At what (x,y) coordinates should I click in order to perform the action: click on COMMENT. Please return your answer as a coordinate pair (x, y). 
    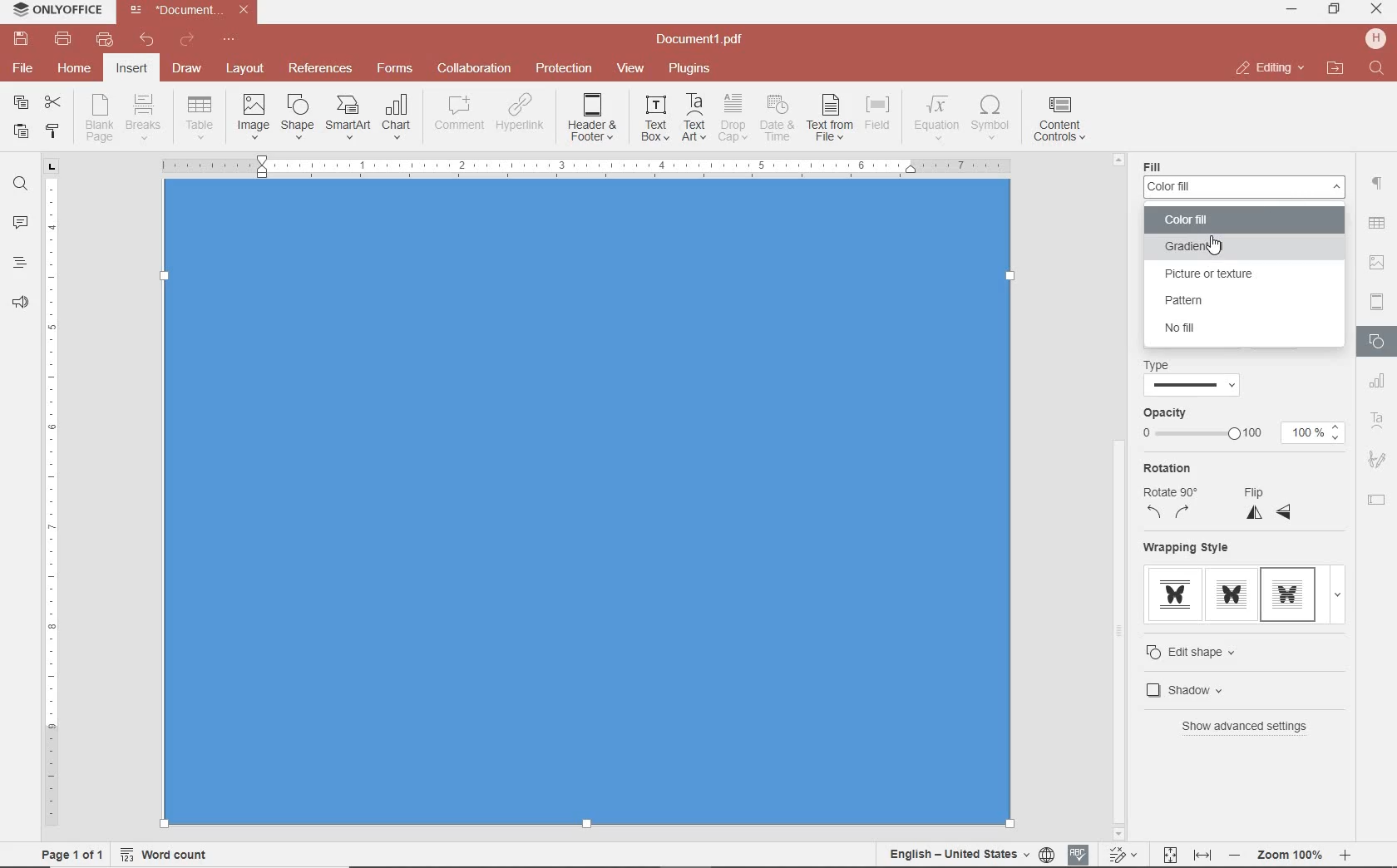
    Looking at the image, I should click on (461, 113).